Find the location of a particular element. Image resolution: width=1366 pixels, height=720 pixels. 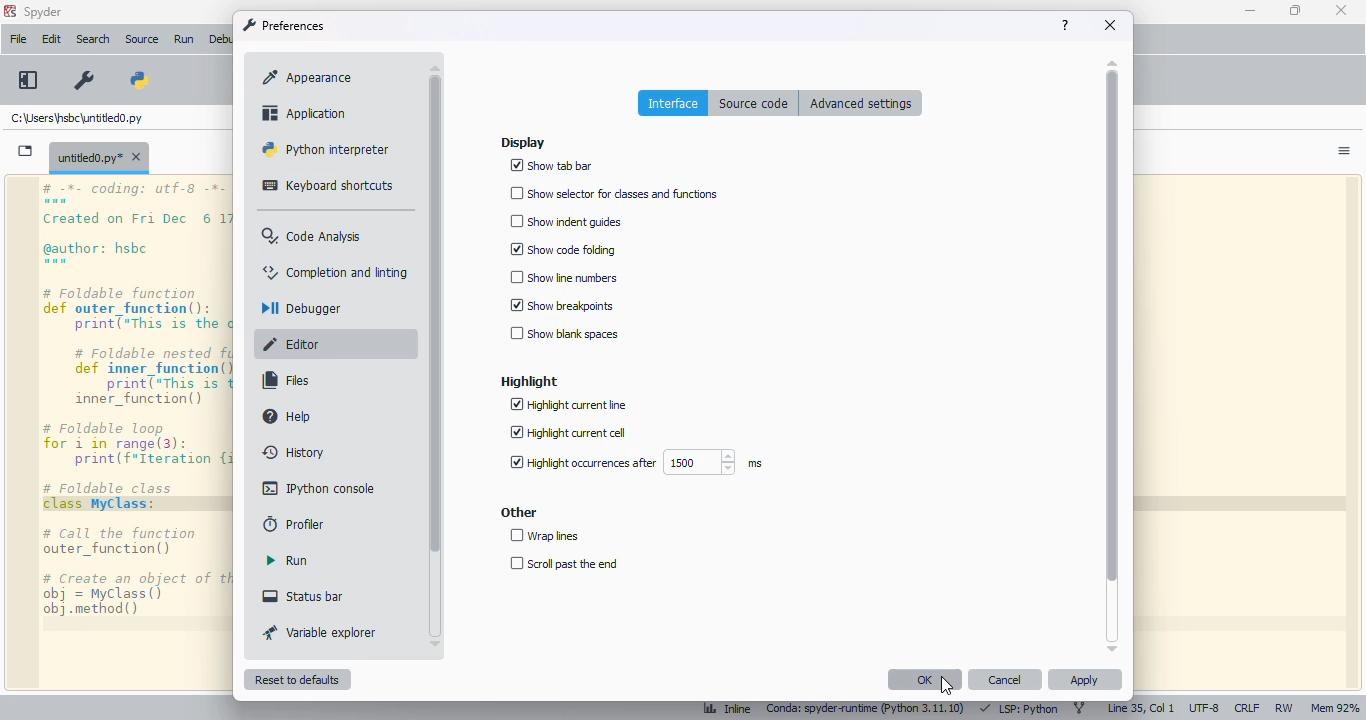

source is located at coordinates (142, 39).